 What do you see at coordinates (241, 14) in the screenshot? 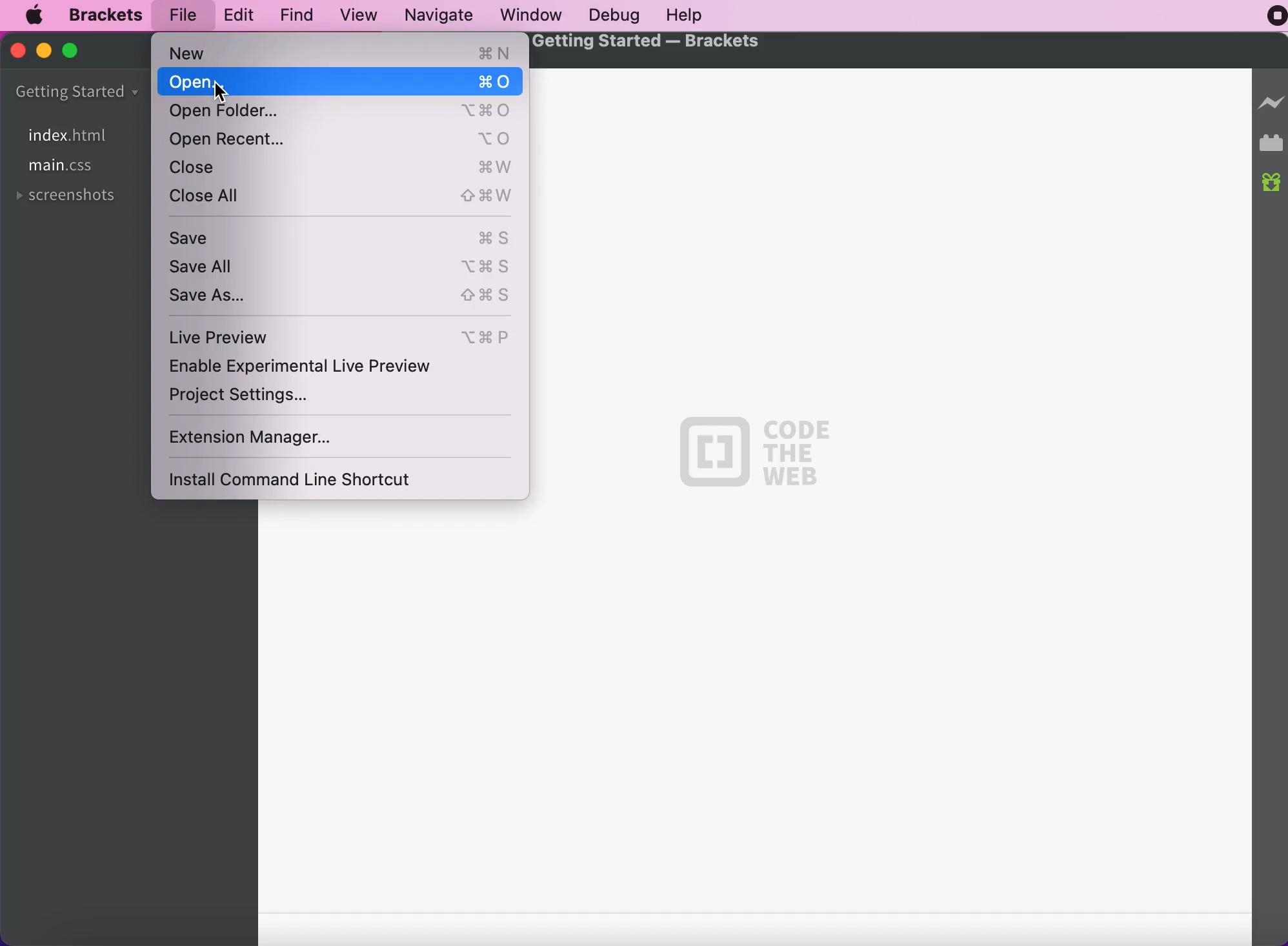
I see `edit` at bounding box center [241, 14].